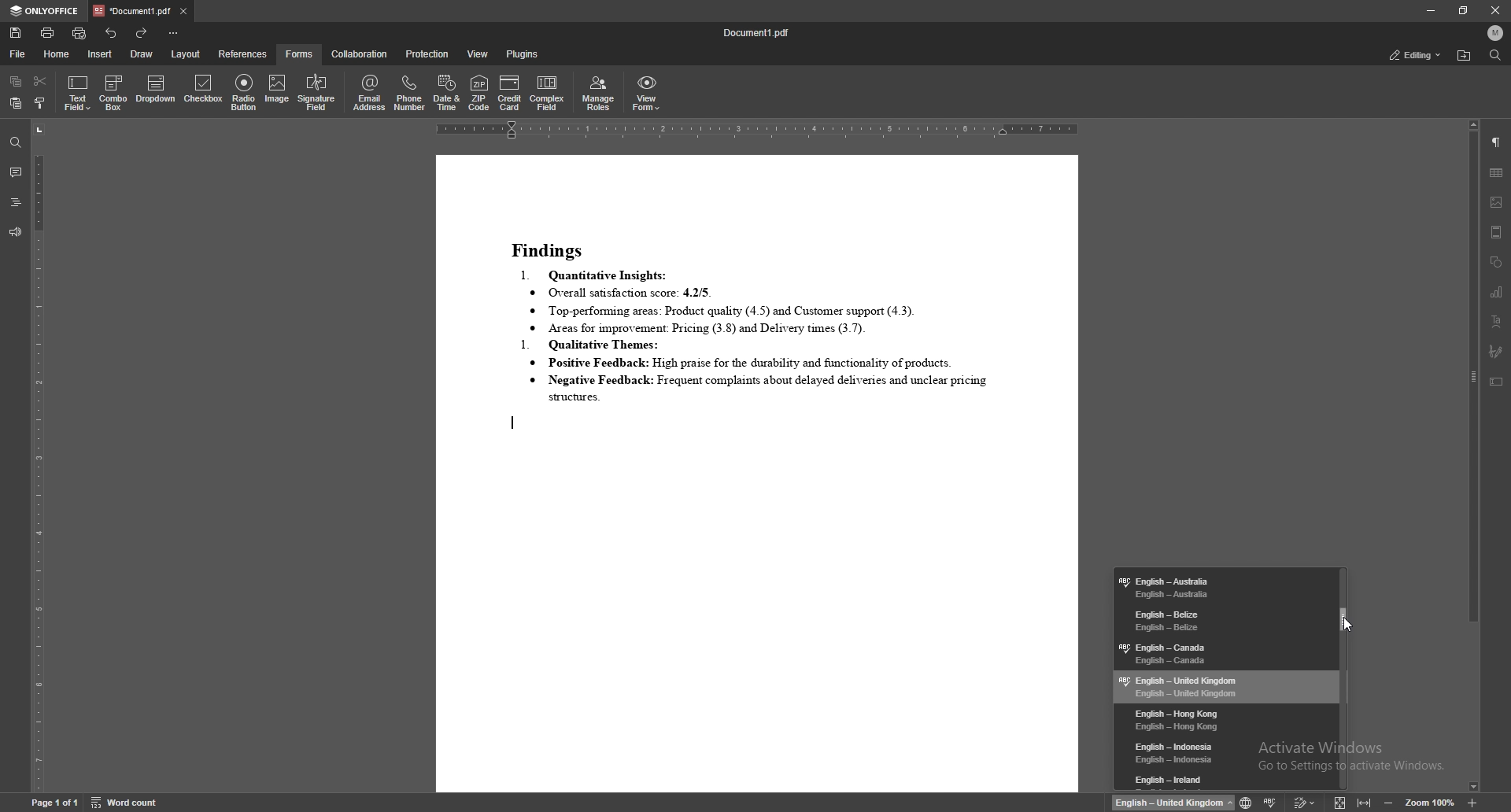 The height and width of the screenshot is (812, 1511). What do you see at coordinates (412, 92) in the screenshot?
I see `phone number` at bounding box center [412, 92].